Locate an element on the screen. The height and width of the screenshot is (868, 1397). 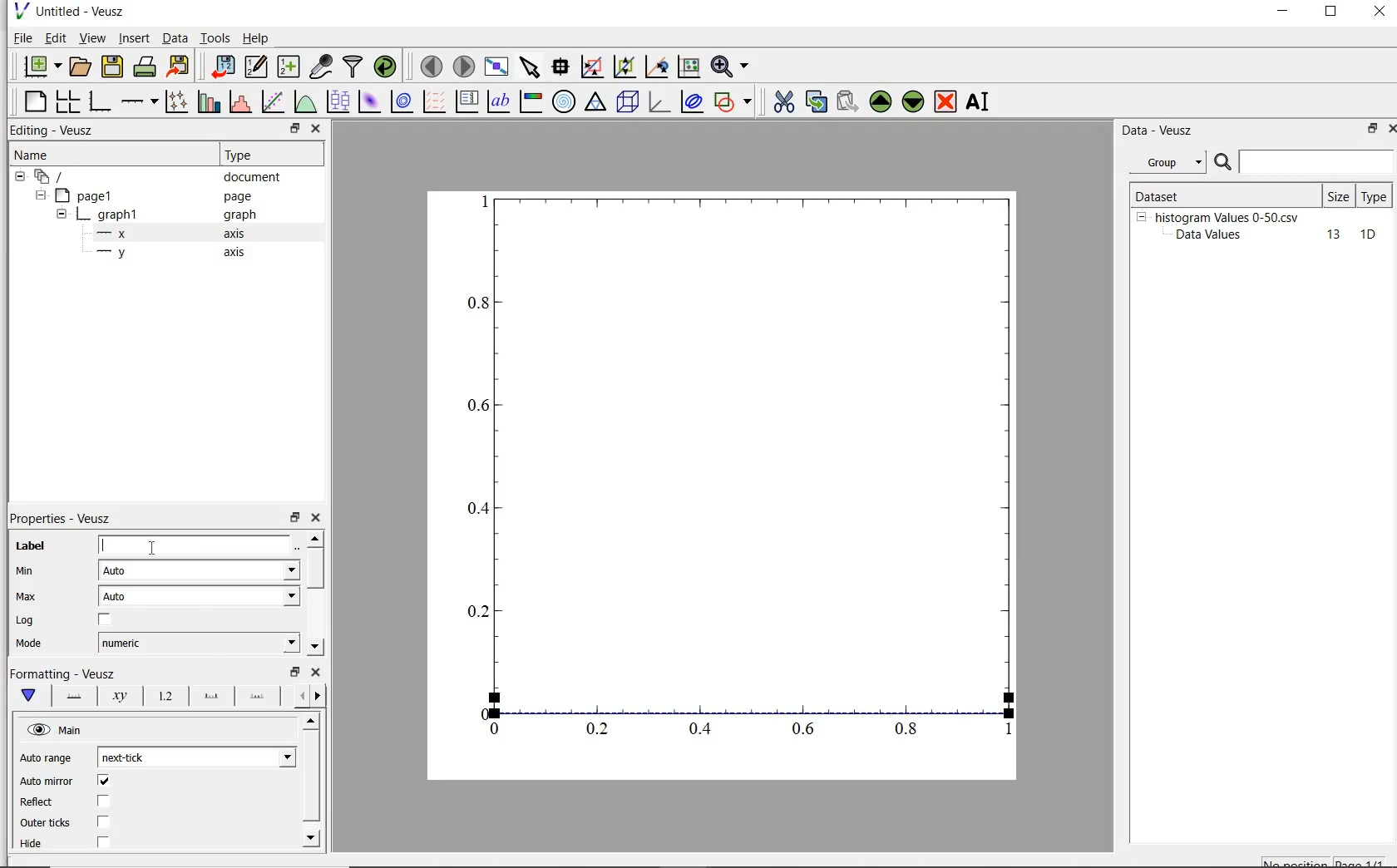
restore down is located at coordinates (1331, 13).